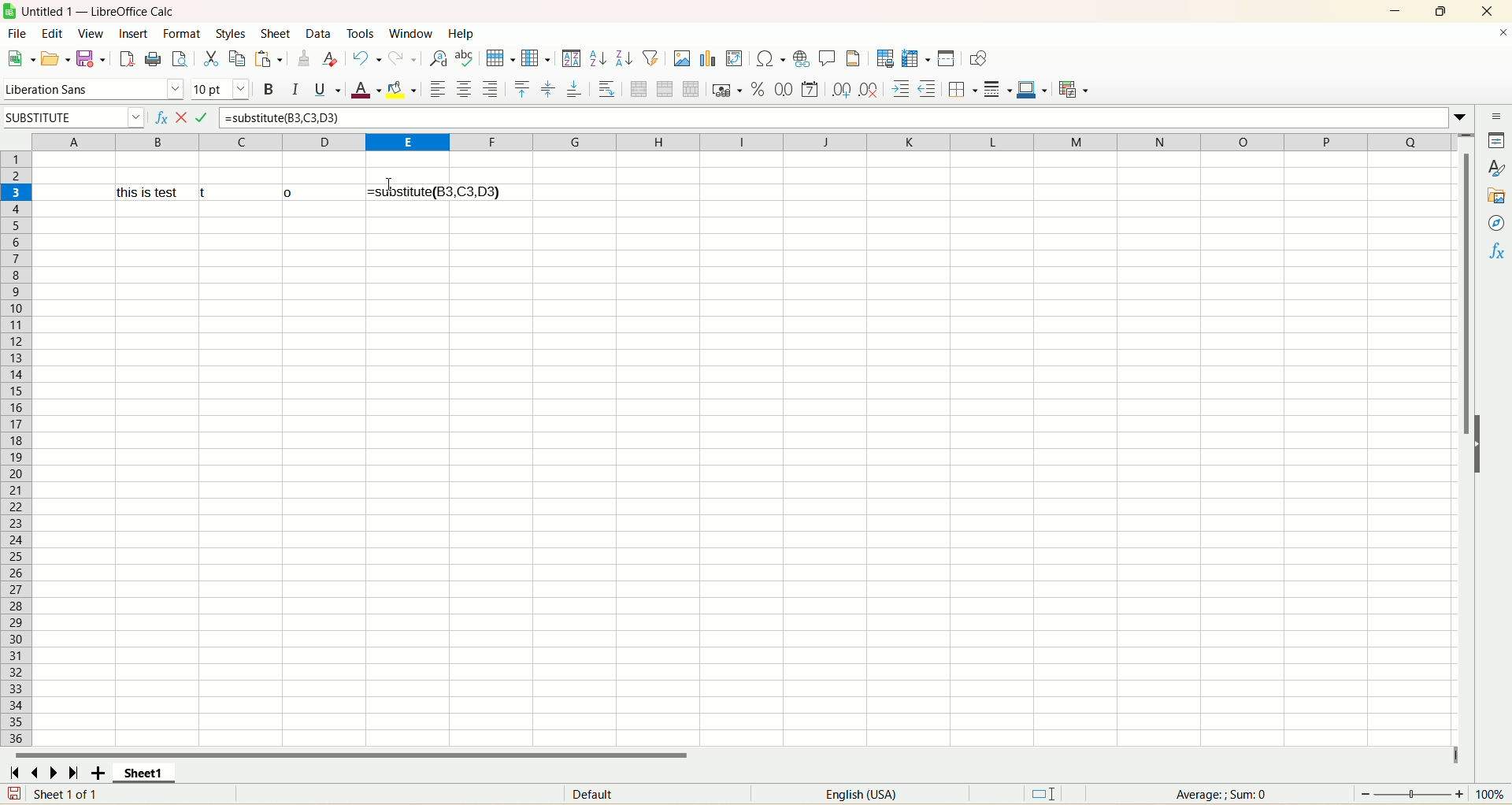 The image size is (1512, 805). Describe the element at coordinates (785, 90) in the screenshot. I see `format as number` at that location.